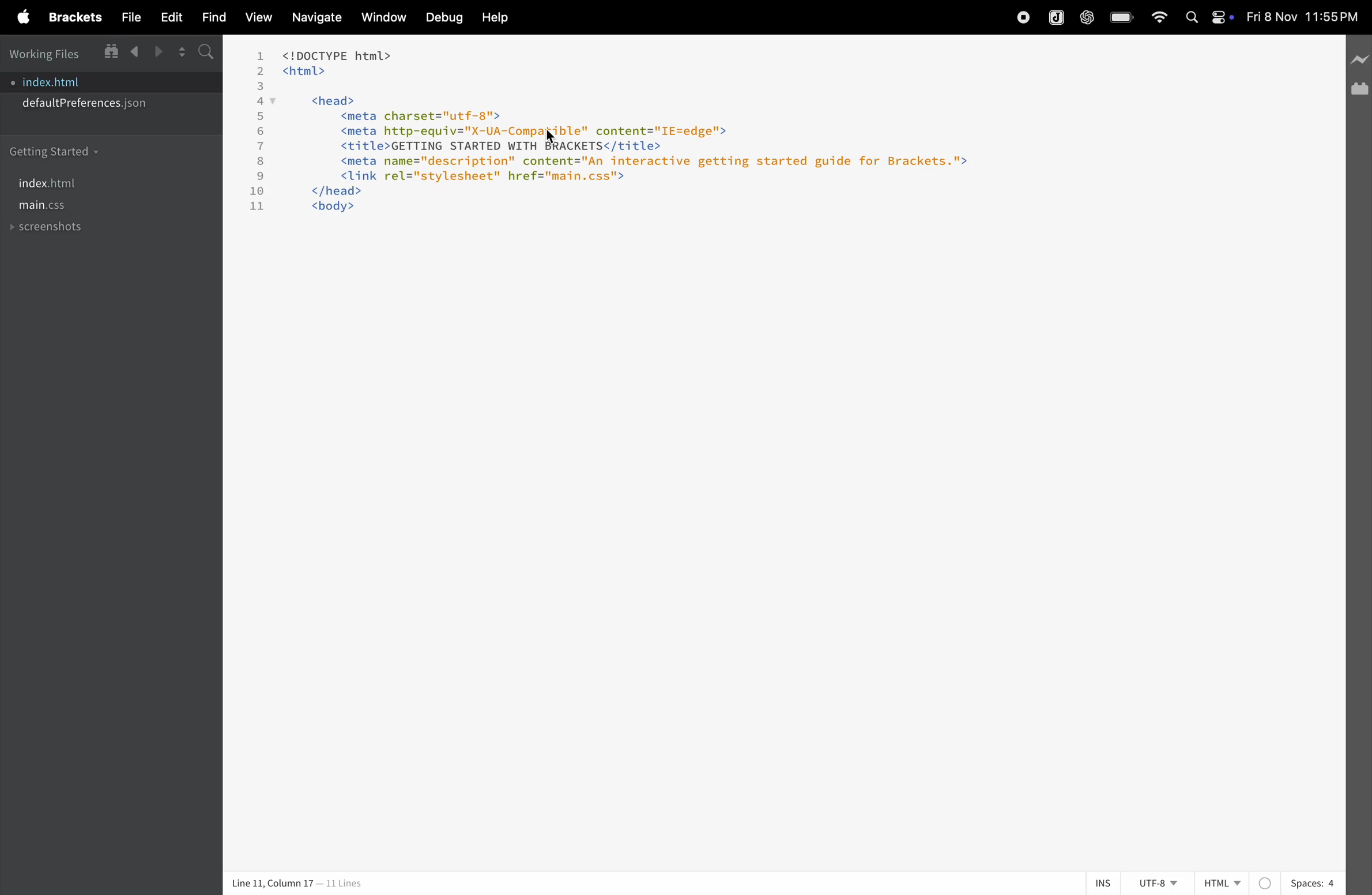 The image size is (1372, 895). What do you see at coordinates (380, 19) in the screenshot?
I see `window` at bounding box center [380, 19].